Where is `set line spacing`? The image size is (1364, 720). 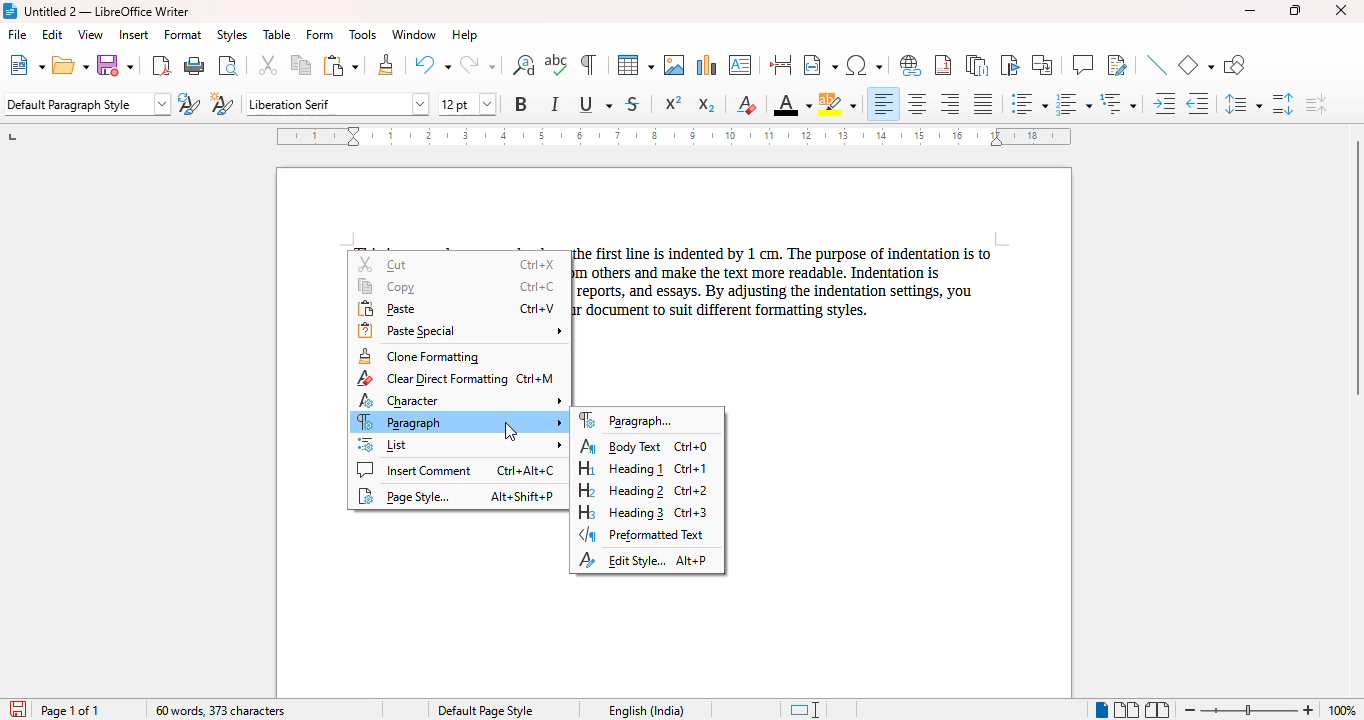
set line spacing is located at coordinates (1243, 104).